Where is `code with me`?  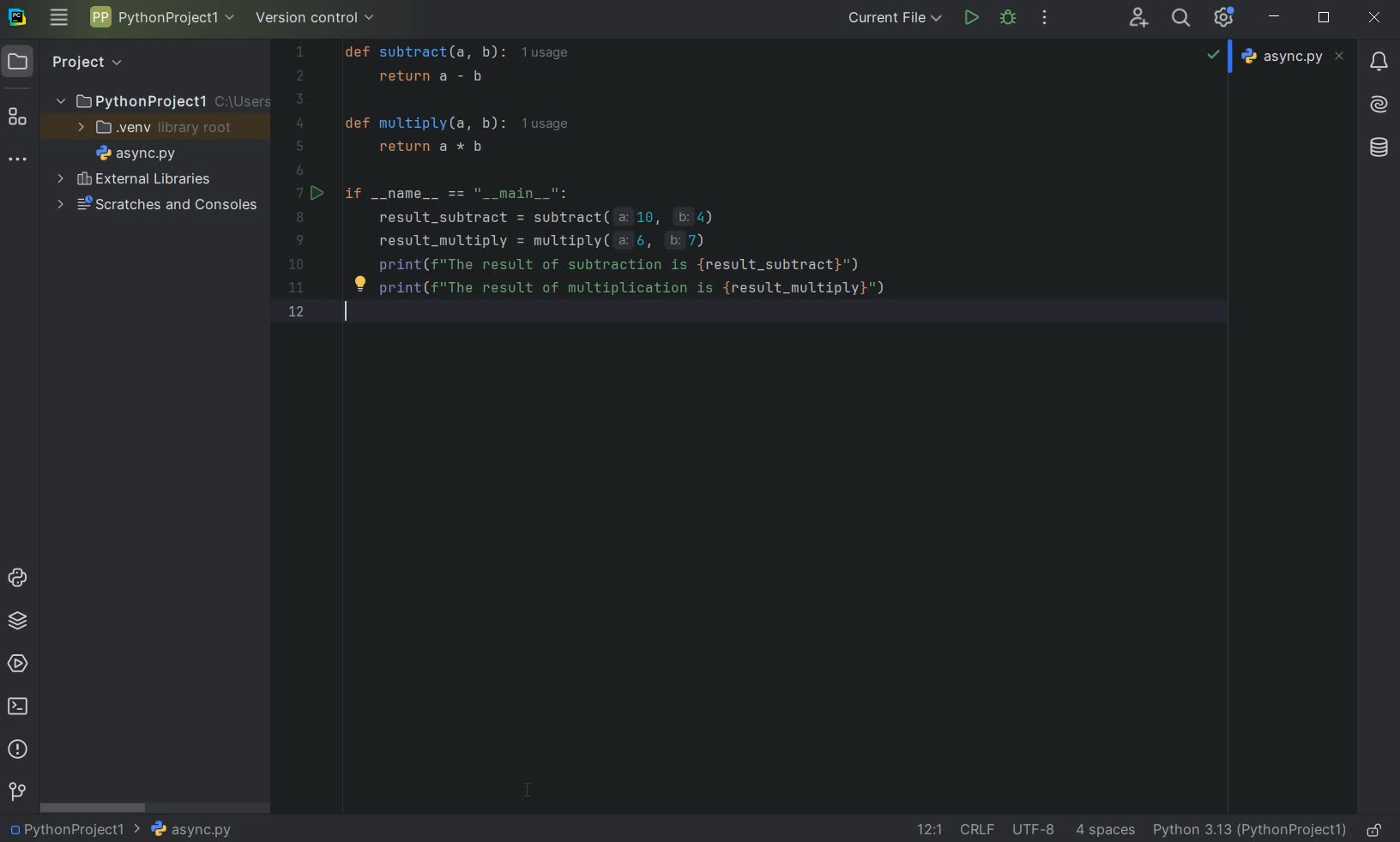
code with me is located at coordinates (1138, 16).